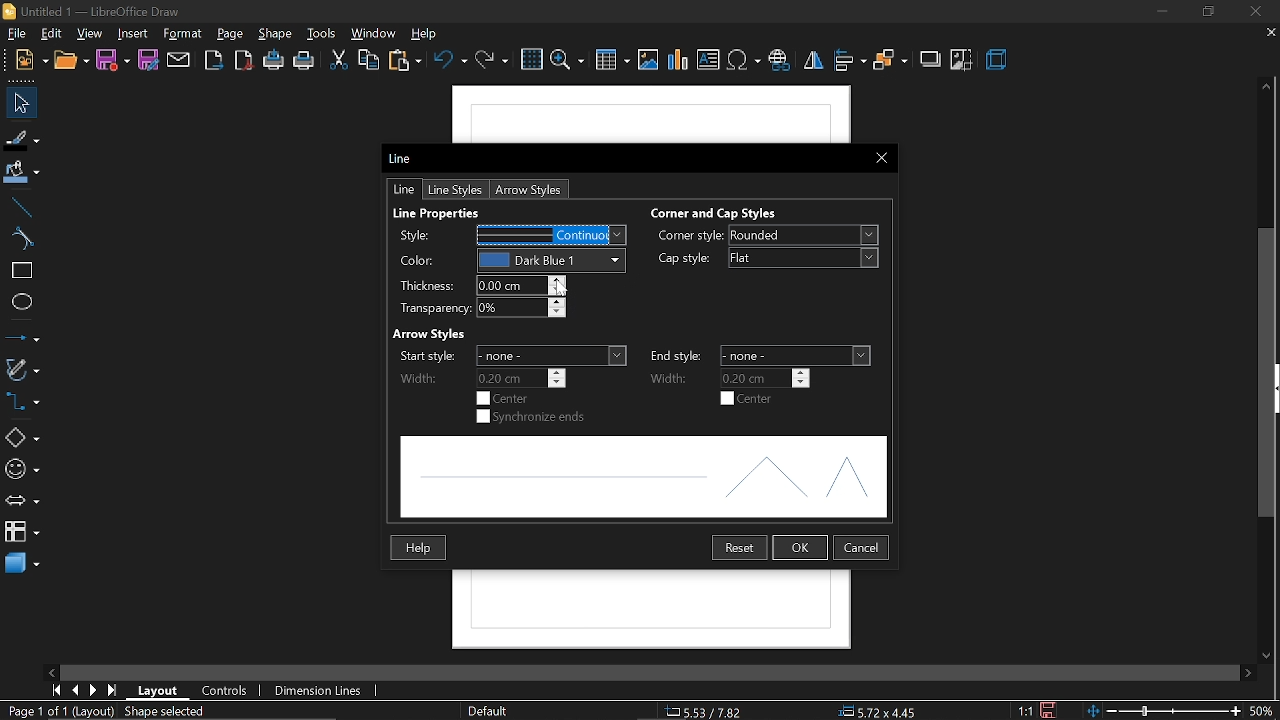 The height and width of the screenshot is (720, 1280). I want to click on ellipse, so click(22, 305).